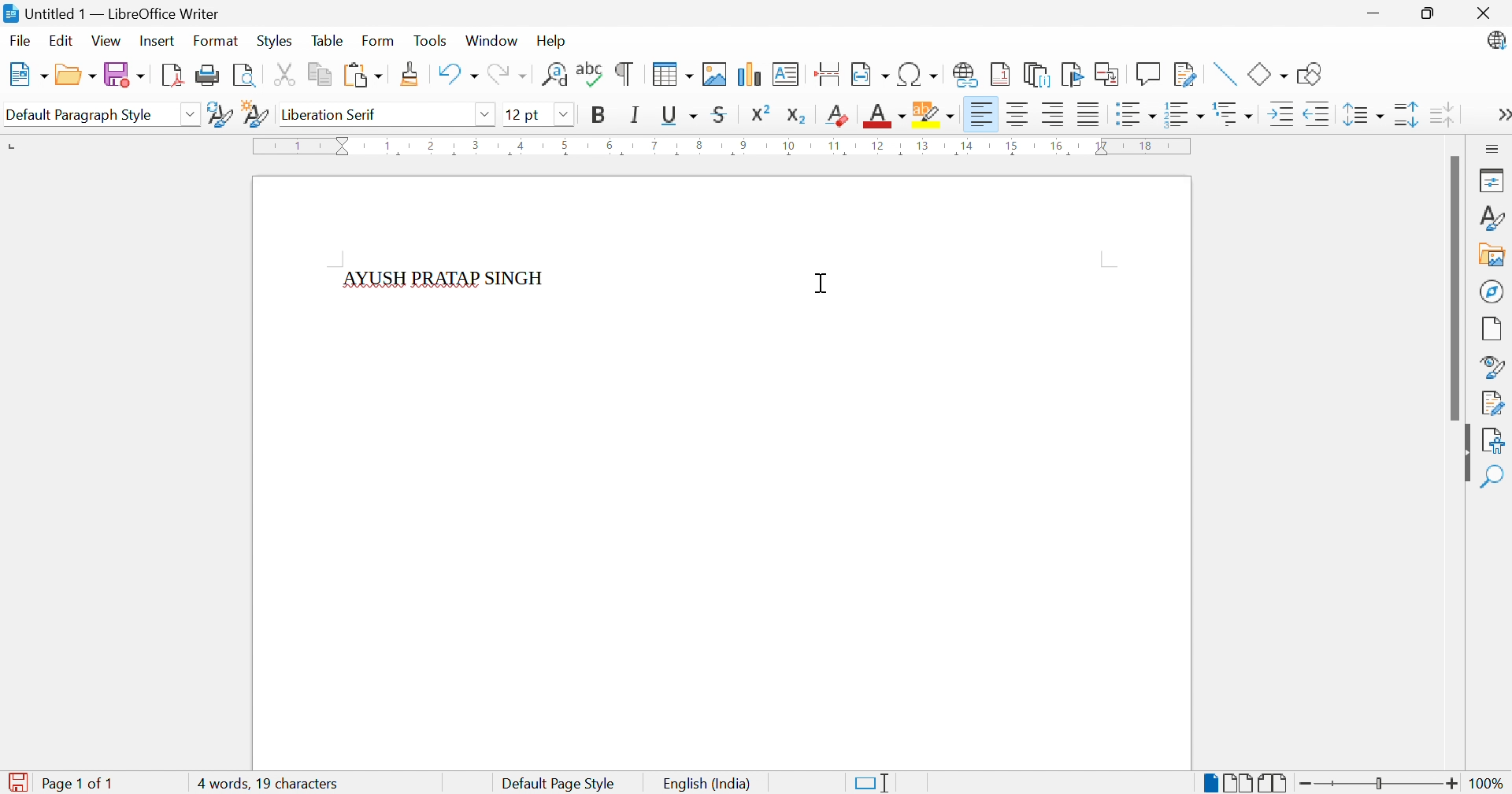 The height and width of the screenshot is (794, 1512). I want to click on Slider, so click(1380, 784).